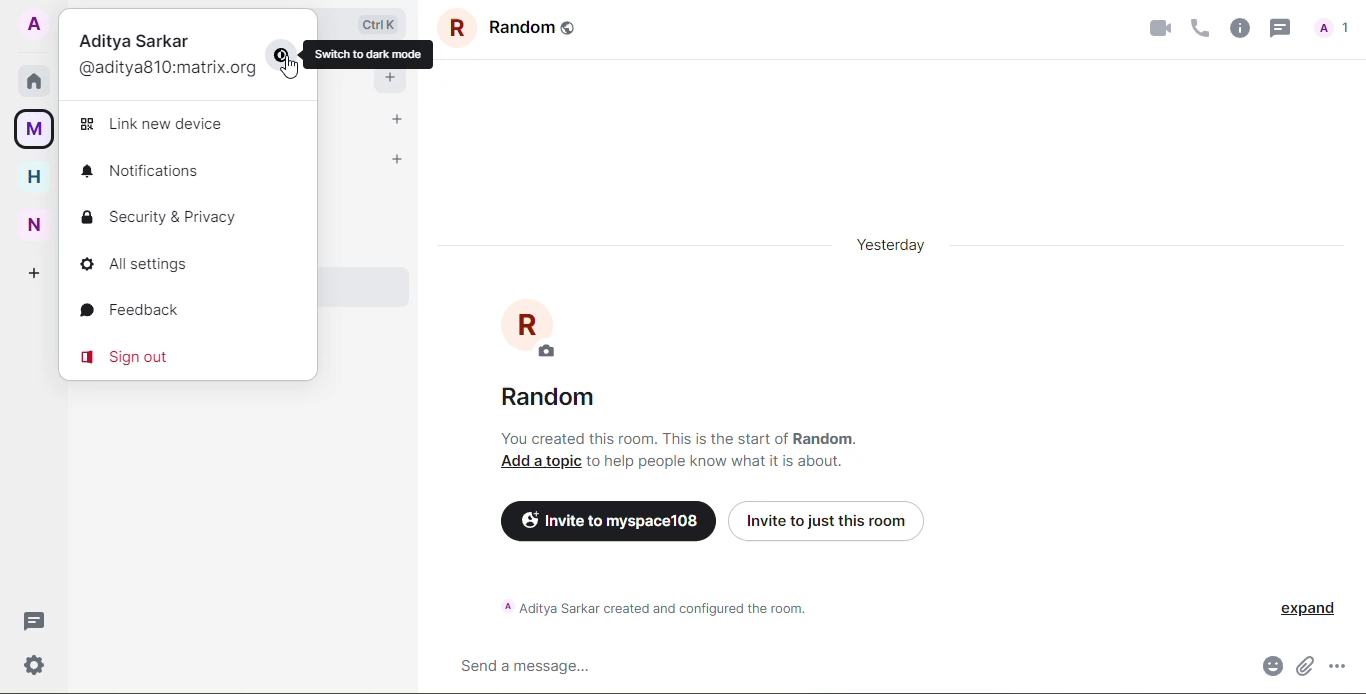 Image resolution: width=1366 pixels, height=694 pixels. I want to click on add a topic, so click(534, 461).